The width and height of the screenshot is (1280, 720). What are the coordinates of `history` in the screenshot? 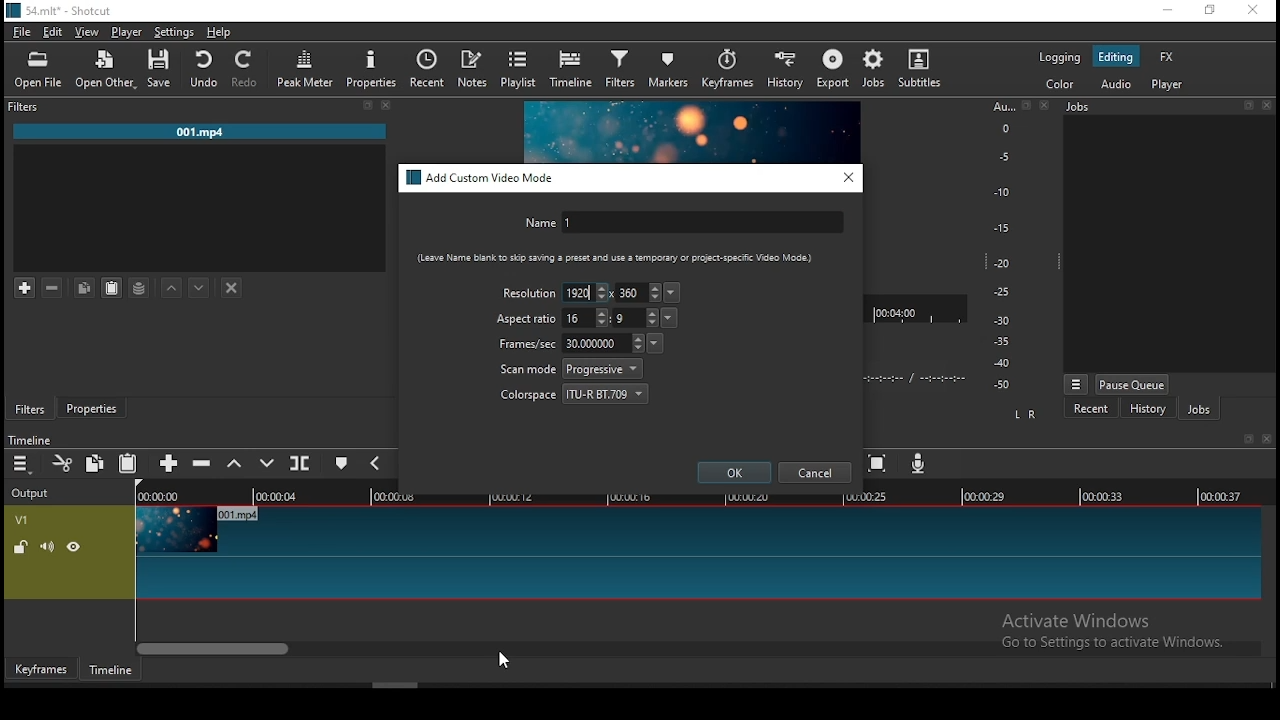 It's located at (781, 71).